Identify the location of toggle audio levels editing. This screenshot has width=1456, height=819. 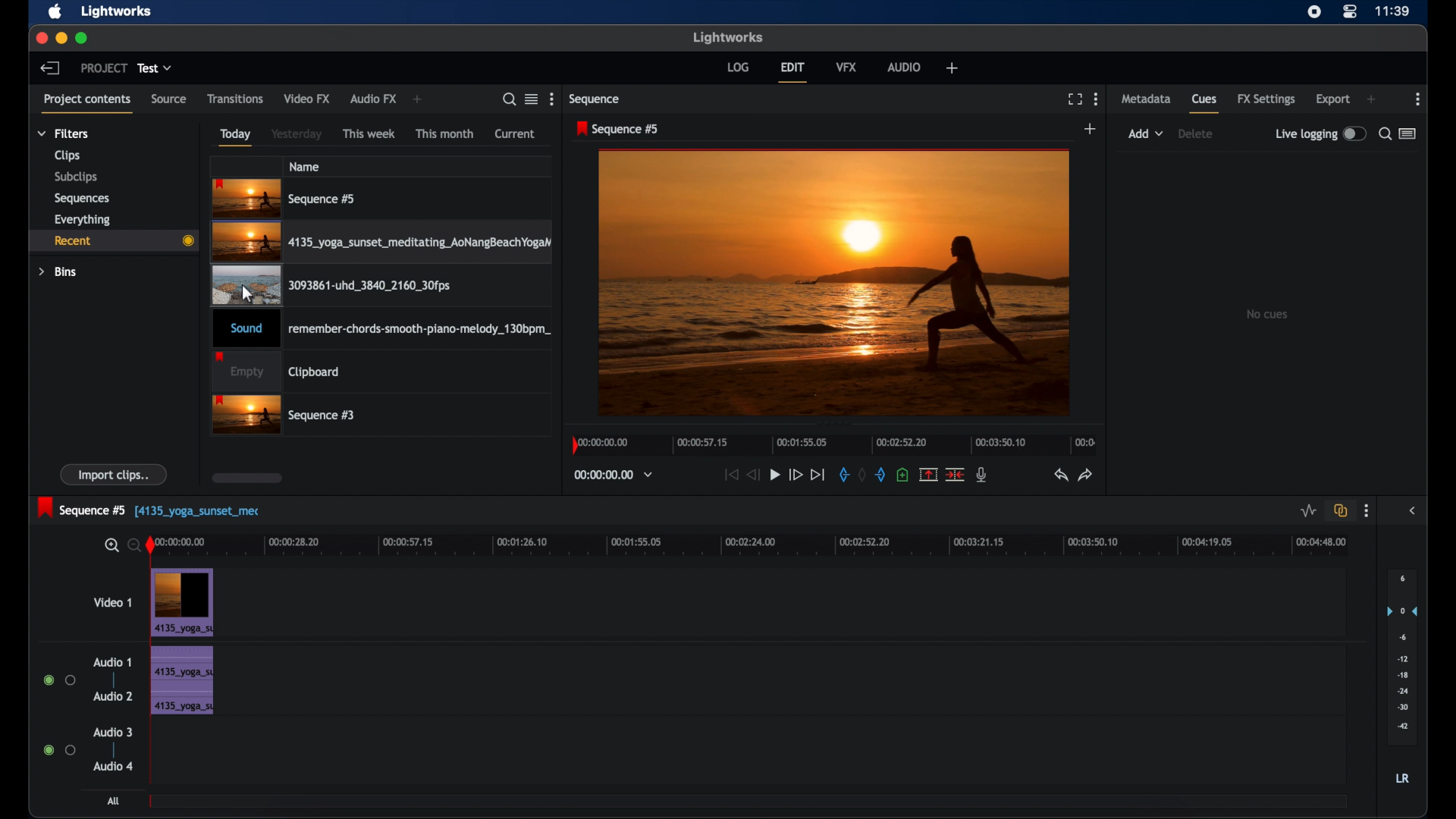
(1307, 511).